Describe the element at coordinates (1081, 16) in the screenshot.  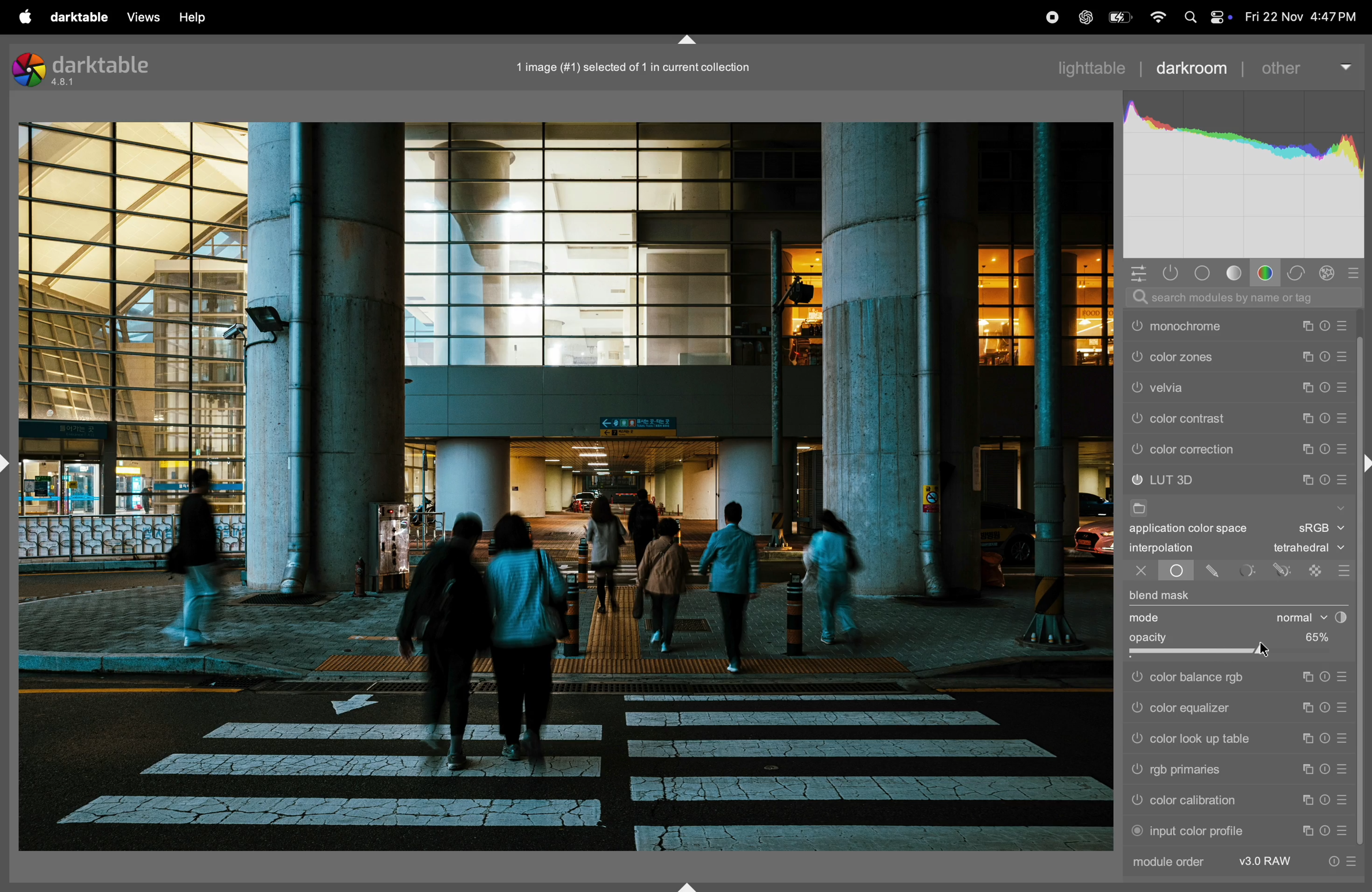
I see `chatgpt` at that location.